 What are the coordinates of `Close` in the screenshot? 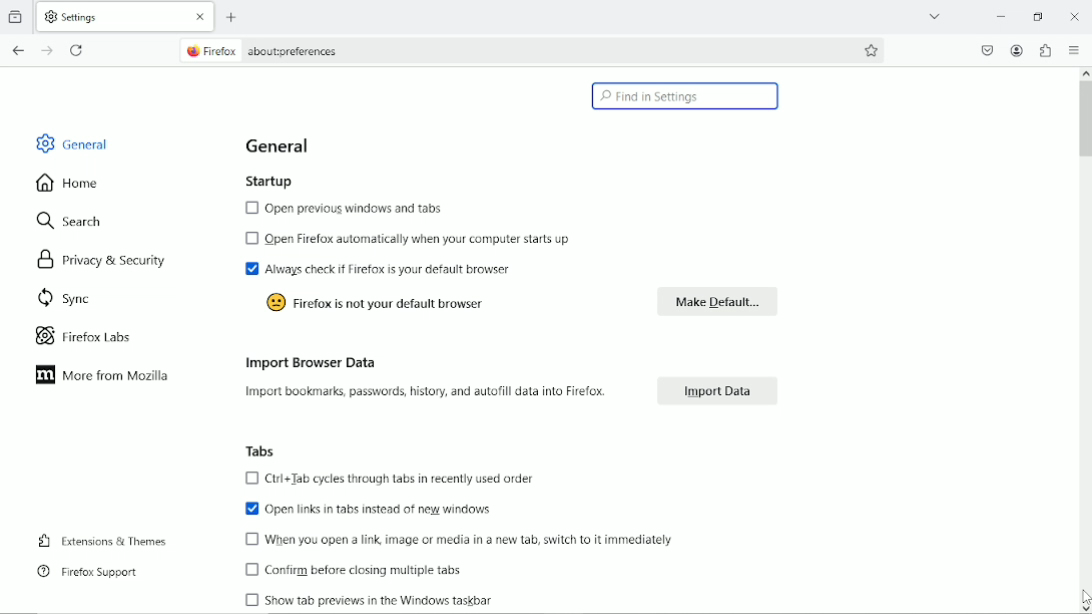 It's located at (201, 17).